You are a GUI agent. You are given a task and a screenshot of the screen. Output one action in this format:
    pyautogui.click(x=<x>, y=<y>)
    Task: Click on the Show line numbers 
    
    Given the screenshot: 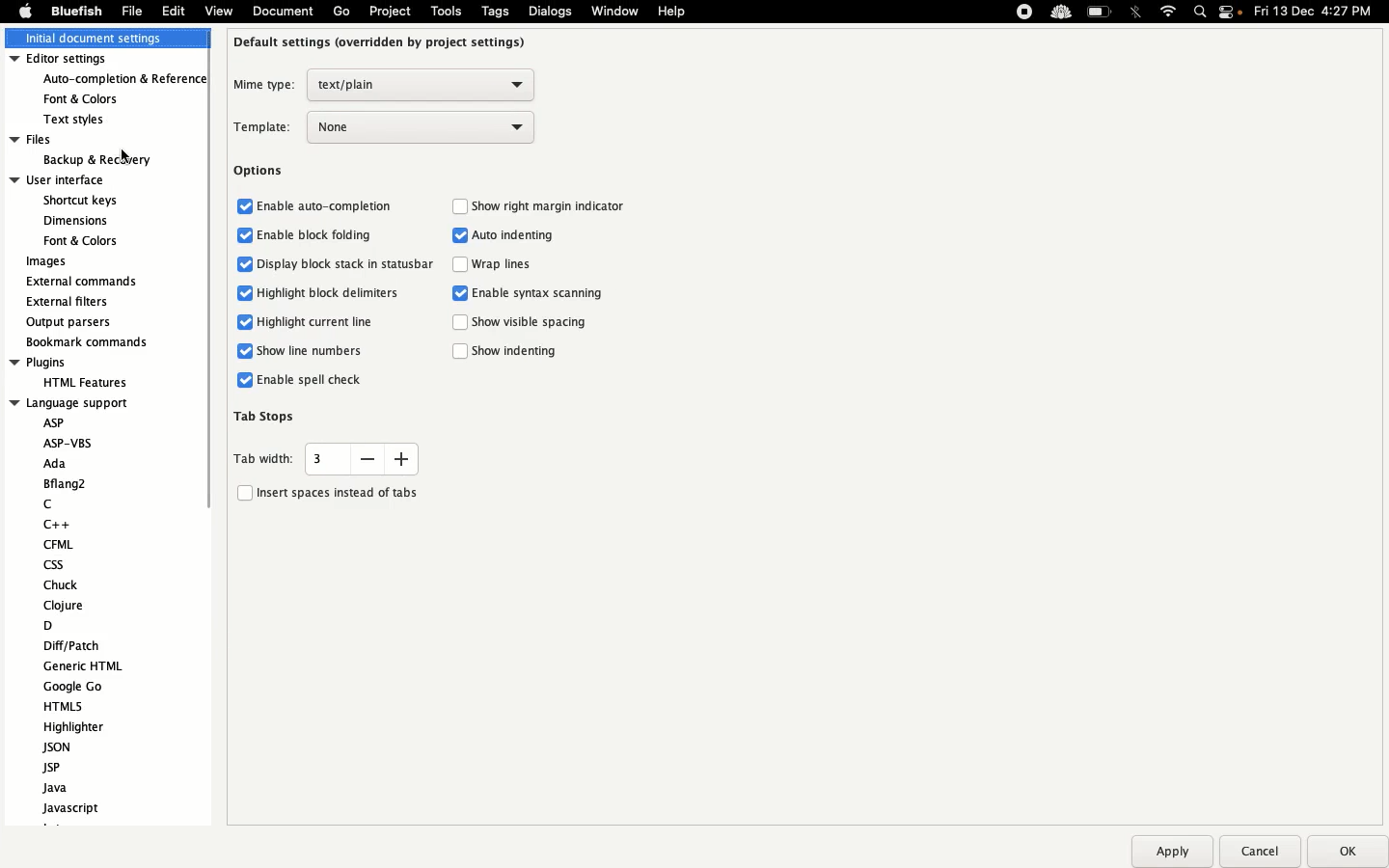 What is the action you would take?
    pyautogui.click(x=300, y=350)
    